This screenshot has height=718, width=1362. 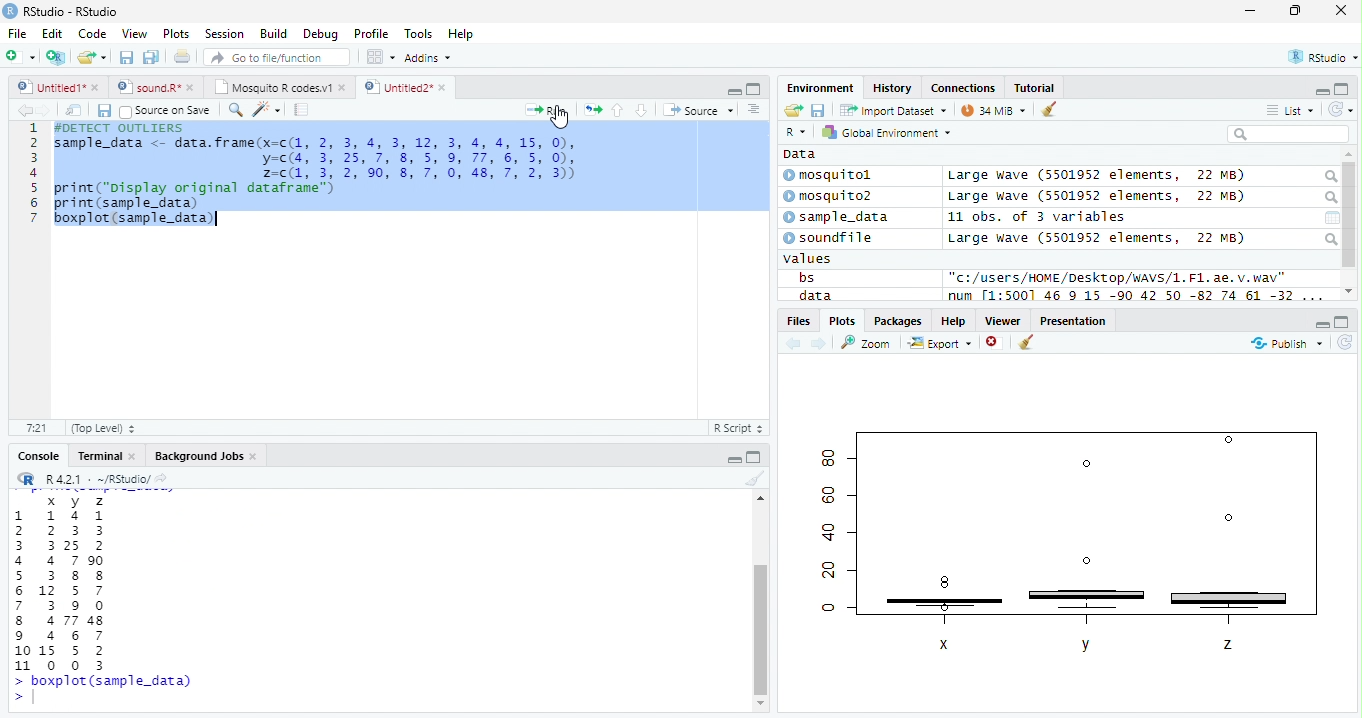 I want to click on cursor, so click(x=561, y=118).